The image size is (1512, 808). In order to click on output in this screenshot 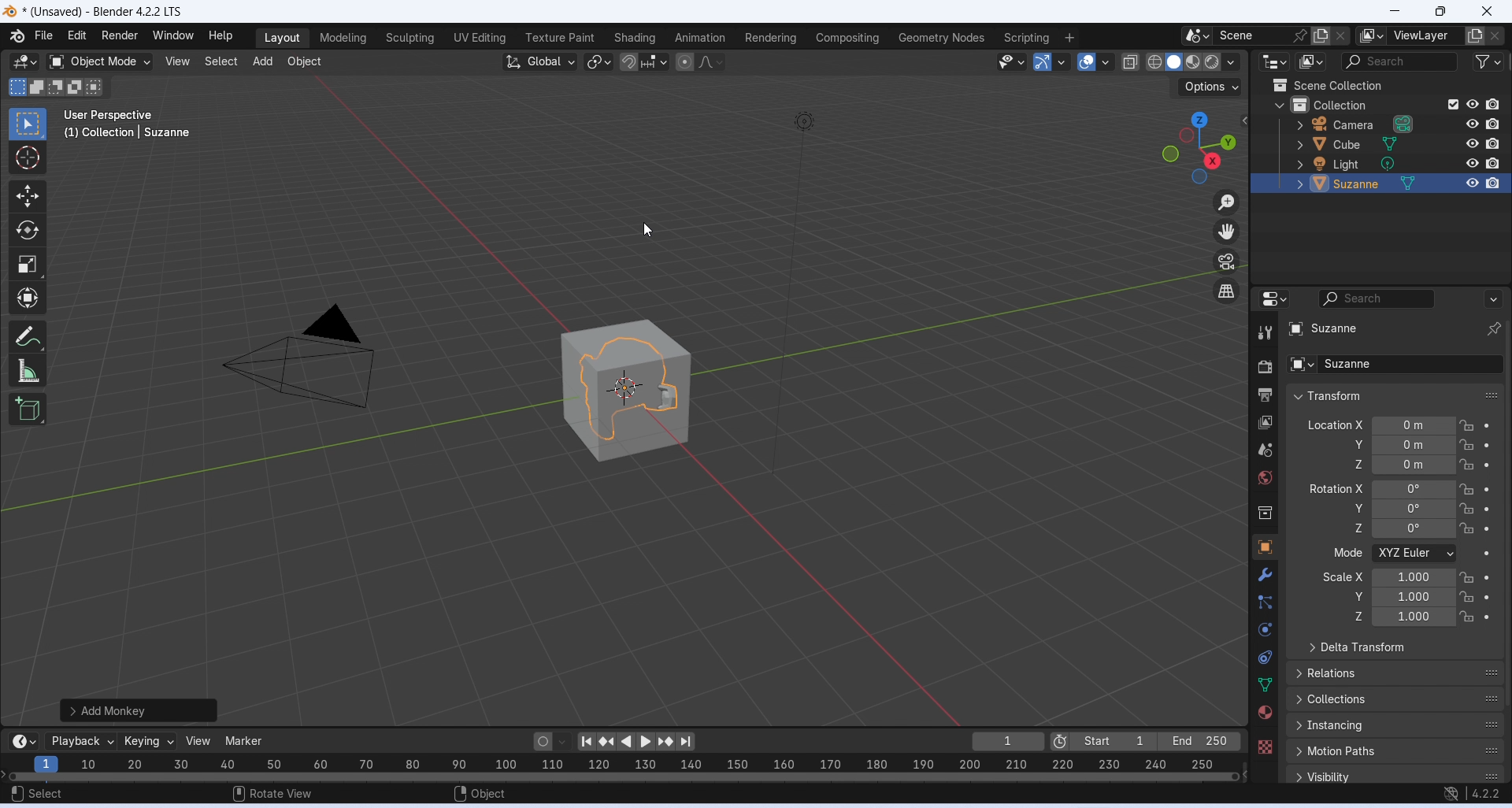, I will do `click(1265, 395)`.